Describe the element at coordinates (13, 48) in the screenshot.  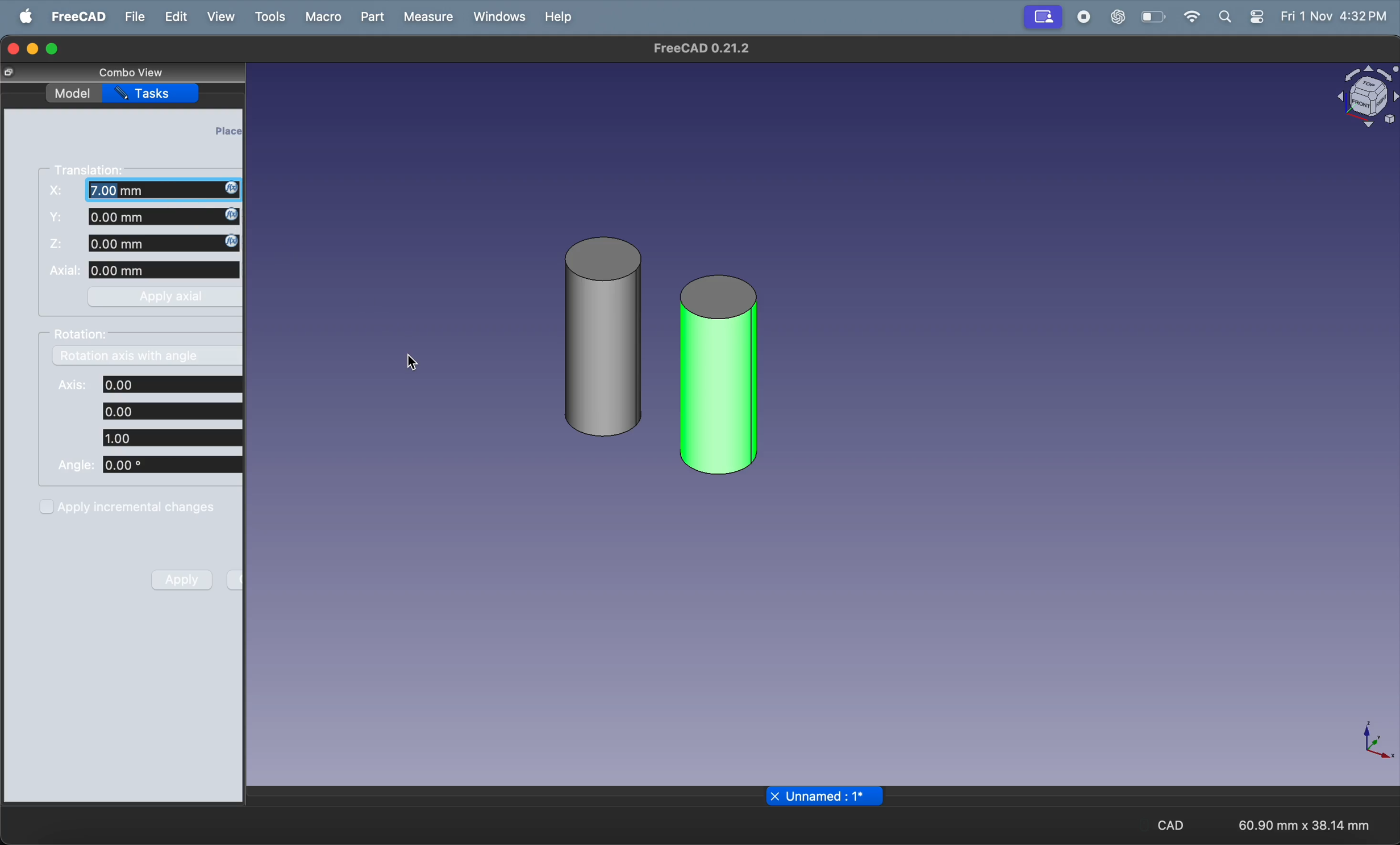
I see `closing window` at that location.